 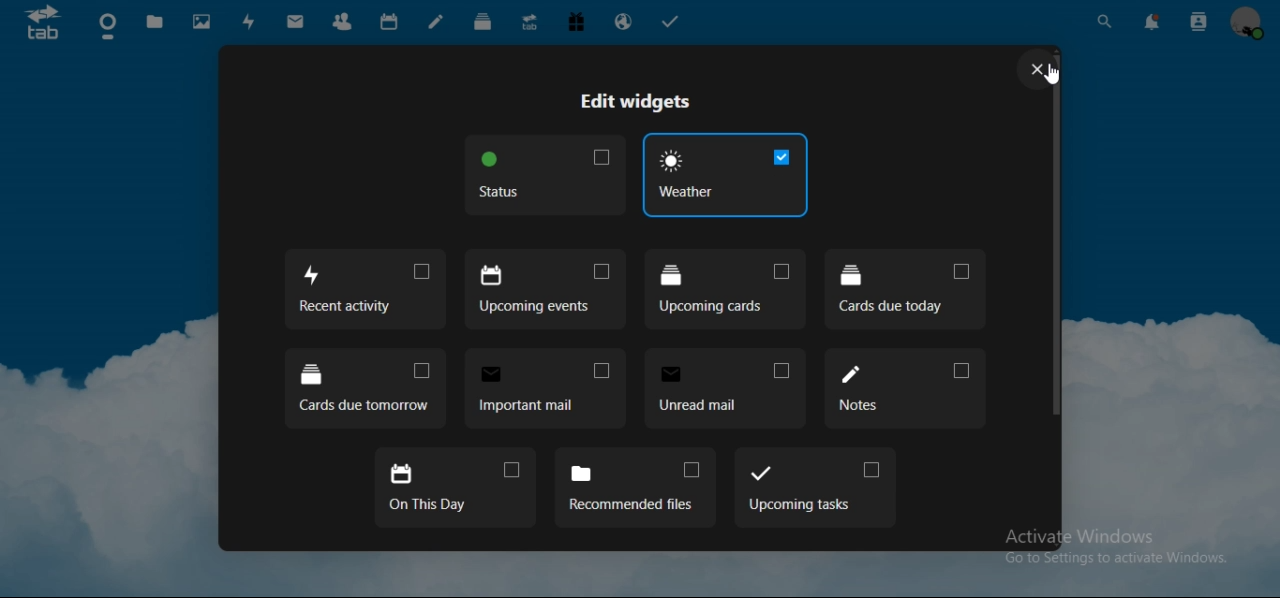 I want to click on upgrade, so click(x=530, y=23).